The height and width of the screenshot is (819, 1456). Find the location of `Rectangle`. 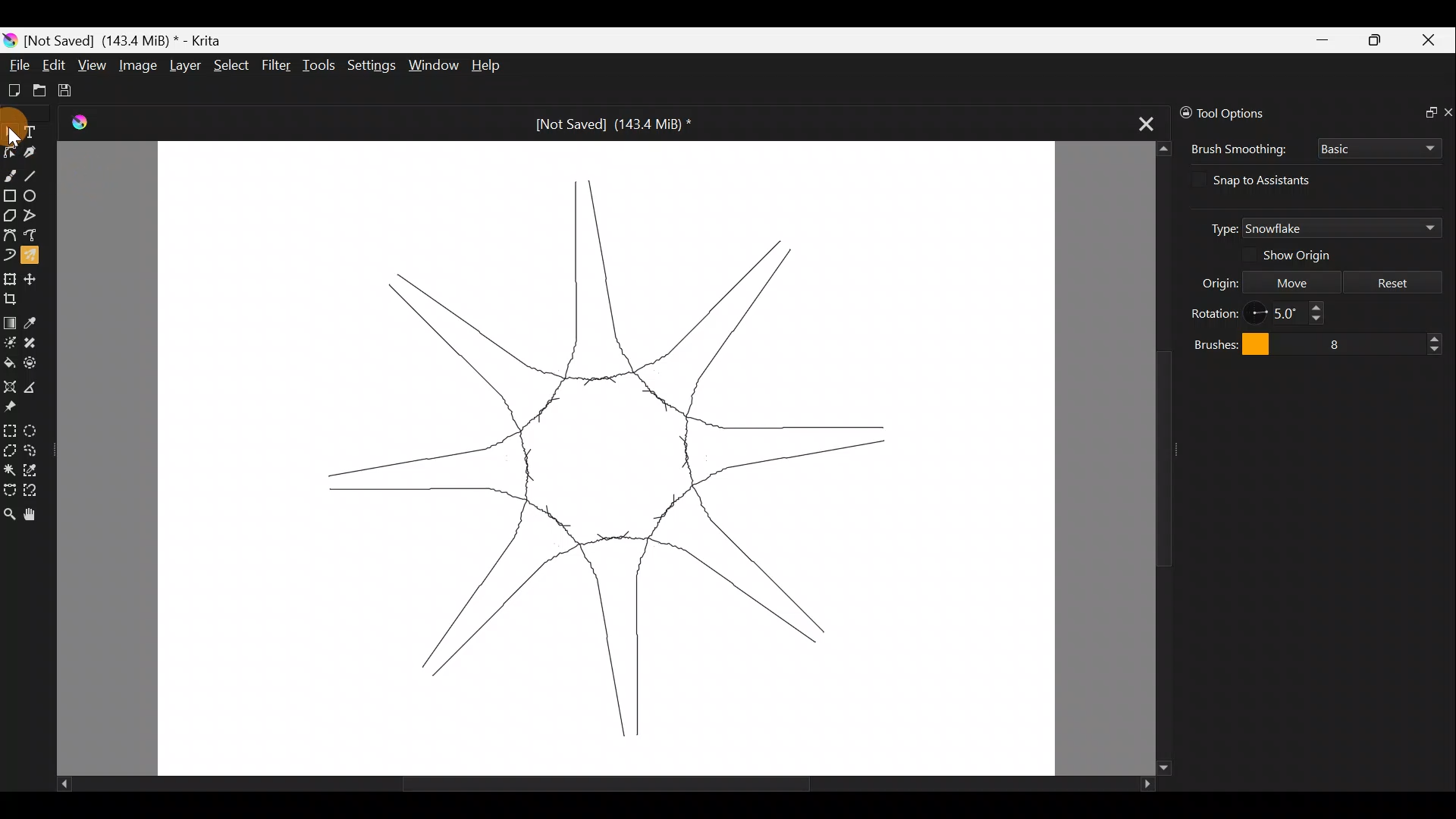

Rectangle is located at coordinates (9, 196).